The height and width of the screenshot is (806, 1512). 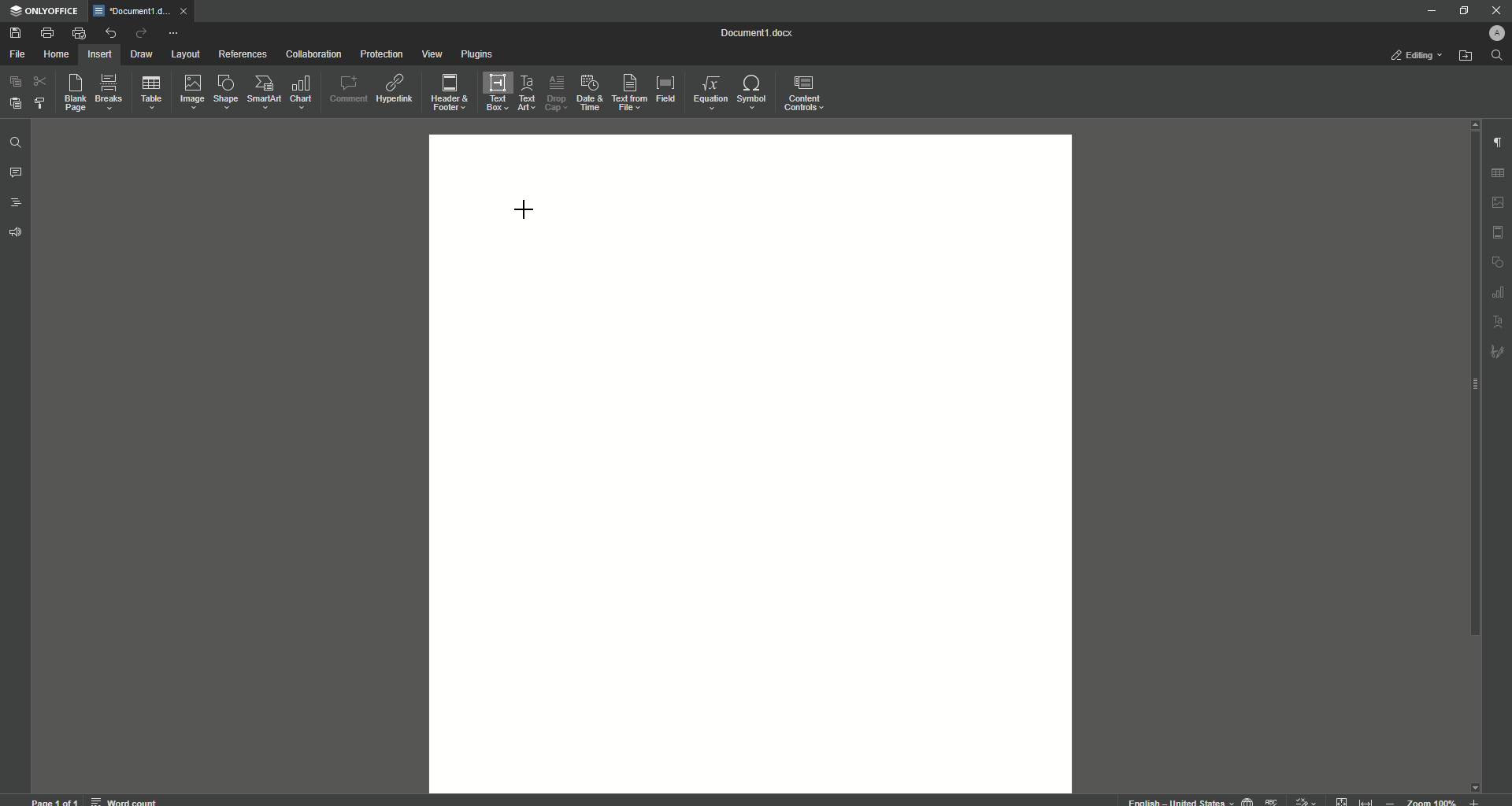 What do you see at coordinates (1498, 353) in the screenshot?
I see `signature` at bounding box center [1498, 353].